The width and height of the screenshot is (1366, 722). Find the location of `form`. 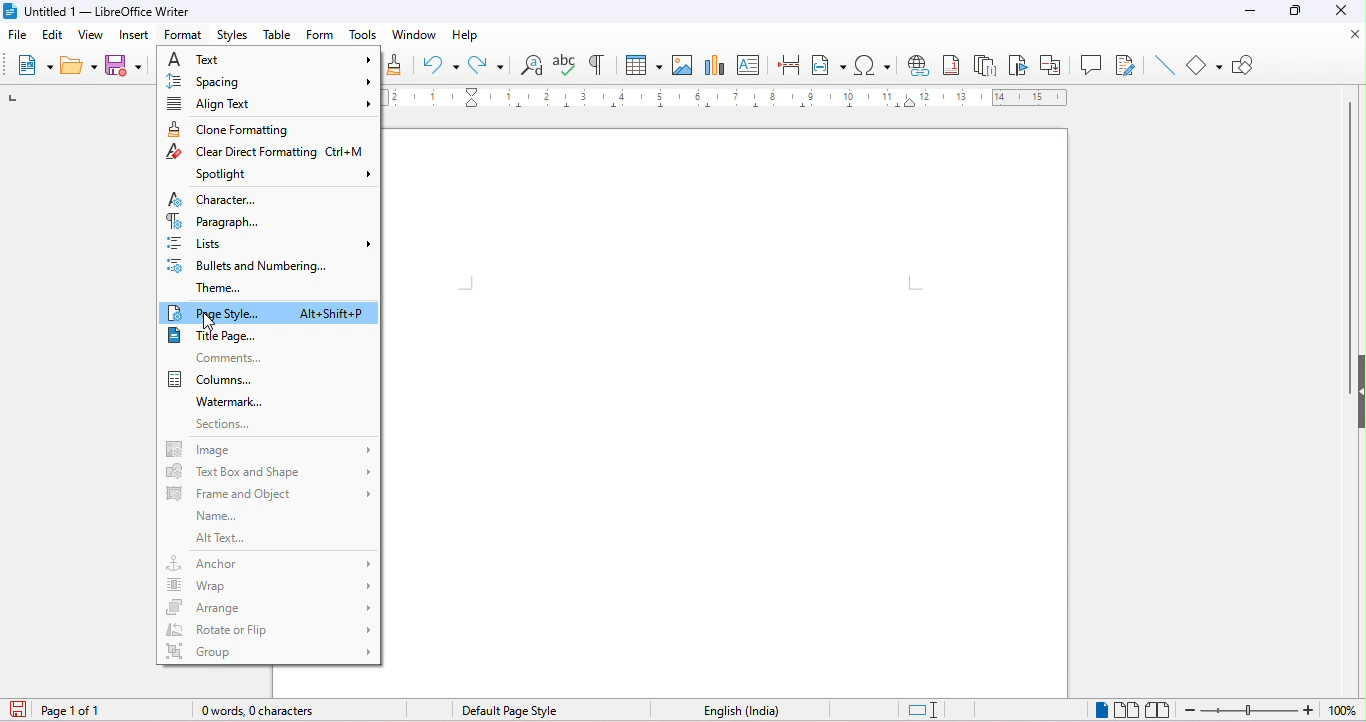

form is located at coordinates (318, 37).